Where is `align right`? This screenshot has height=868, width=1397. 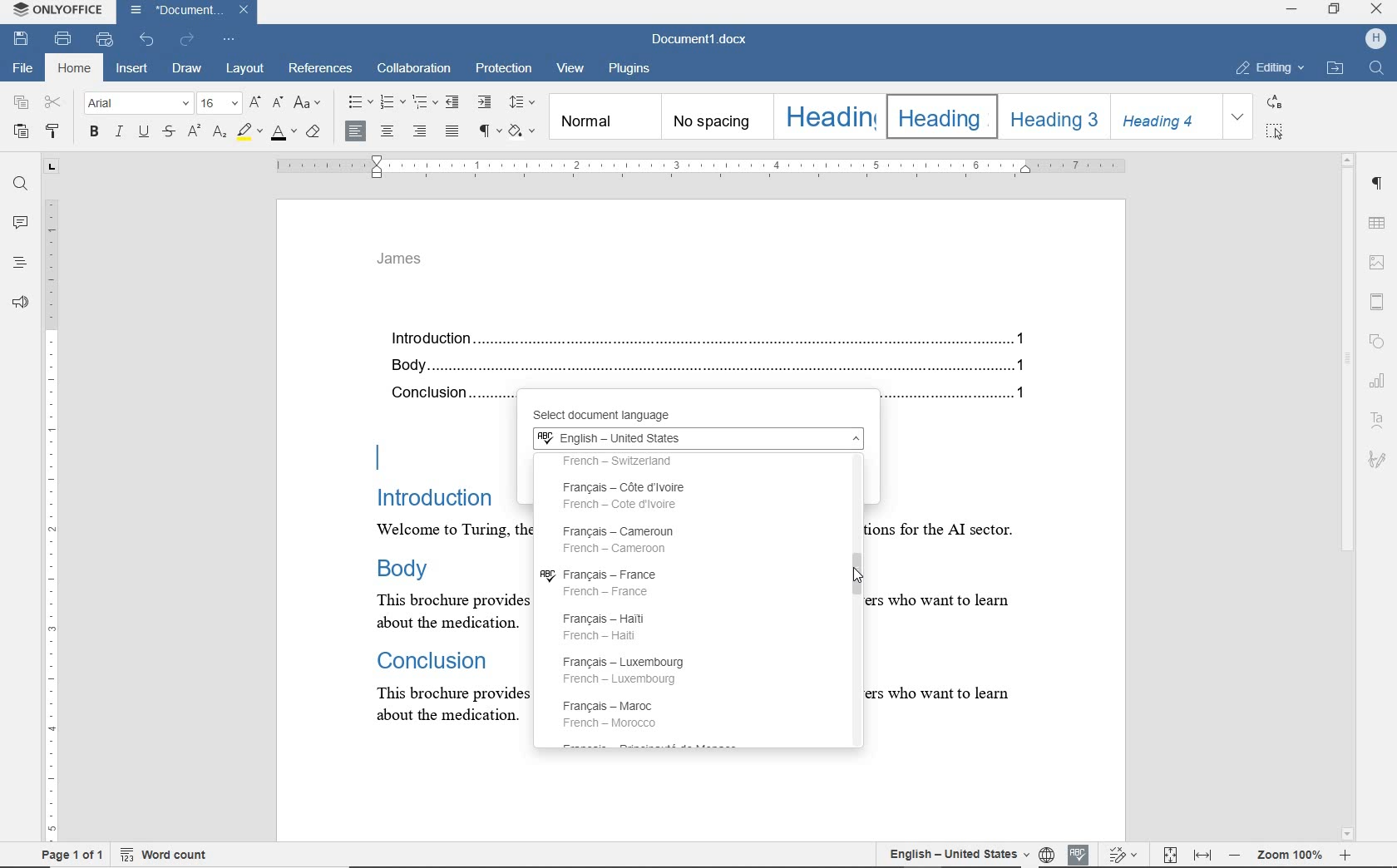
align right is located at coordinates (422, 133).